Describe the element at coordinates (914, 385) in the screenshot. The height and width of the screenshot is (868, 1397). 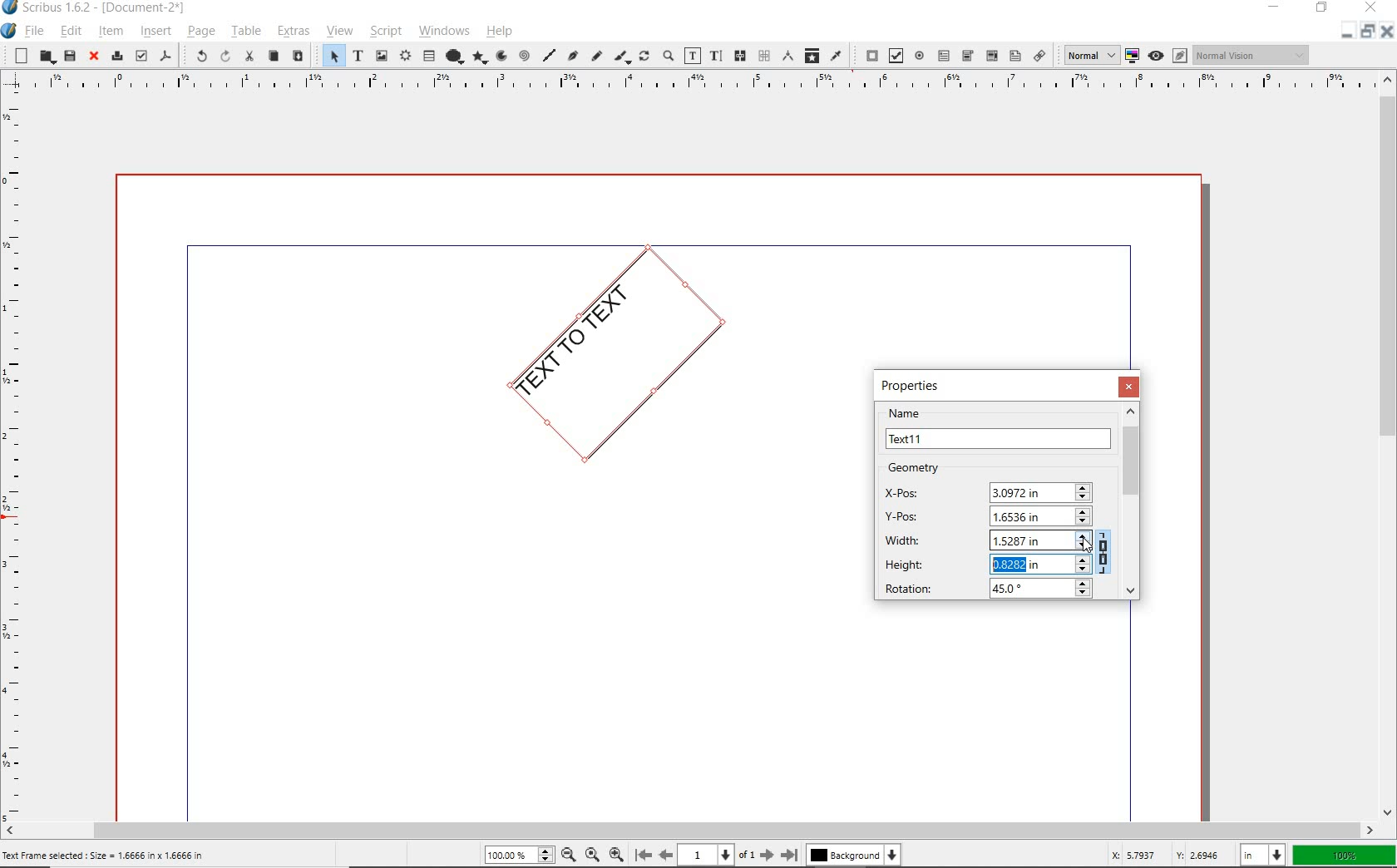
I see `PROPERTIES` at that location.